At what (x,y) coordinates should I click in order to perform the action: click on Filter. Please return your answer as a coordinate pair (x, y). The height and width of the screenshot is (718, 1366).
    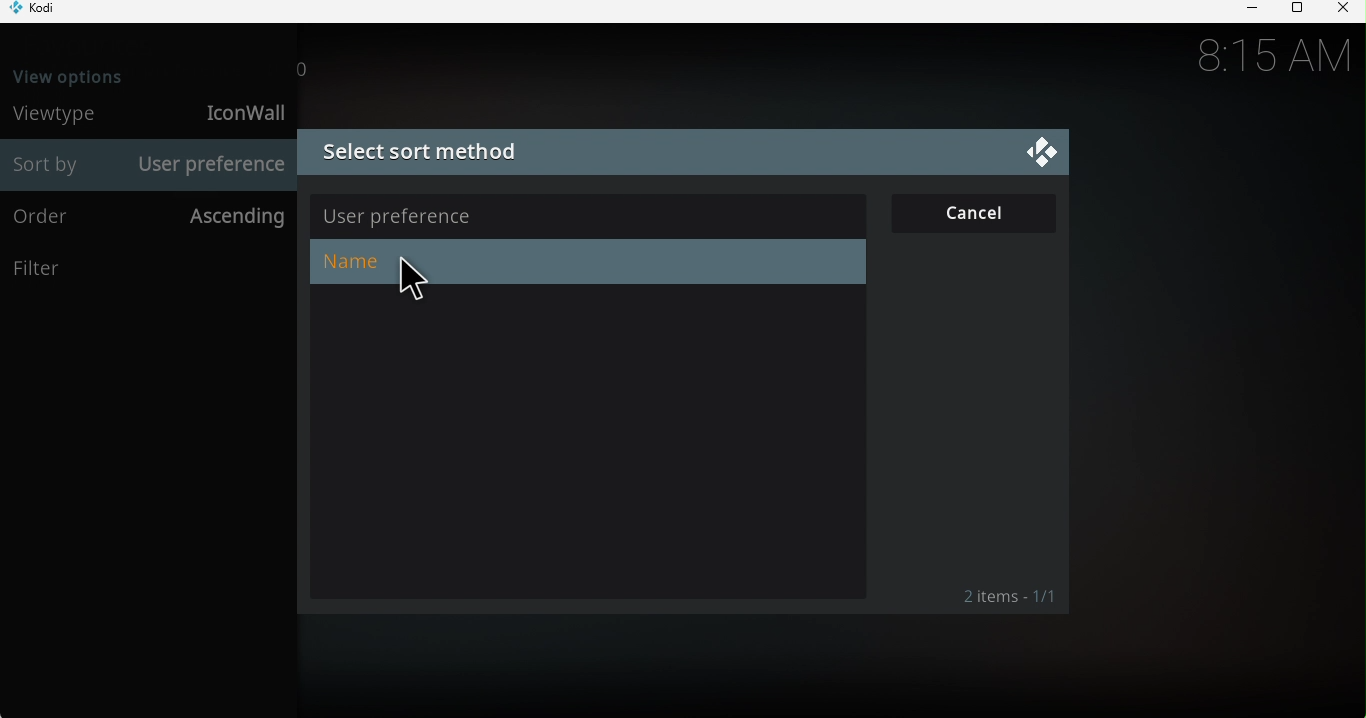
    Looking at the image, I should click on (146, 270).